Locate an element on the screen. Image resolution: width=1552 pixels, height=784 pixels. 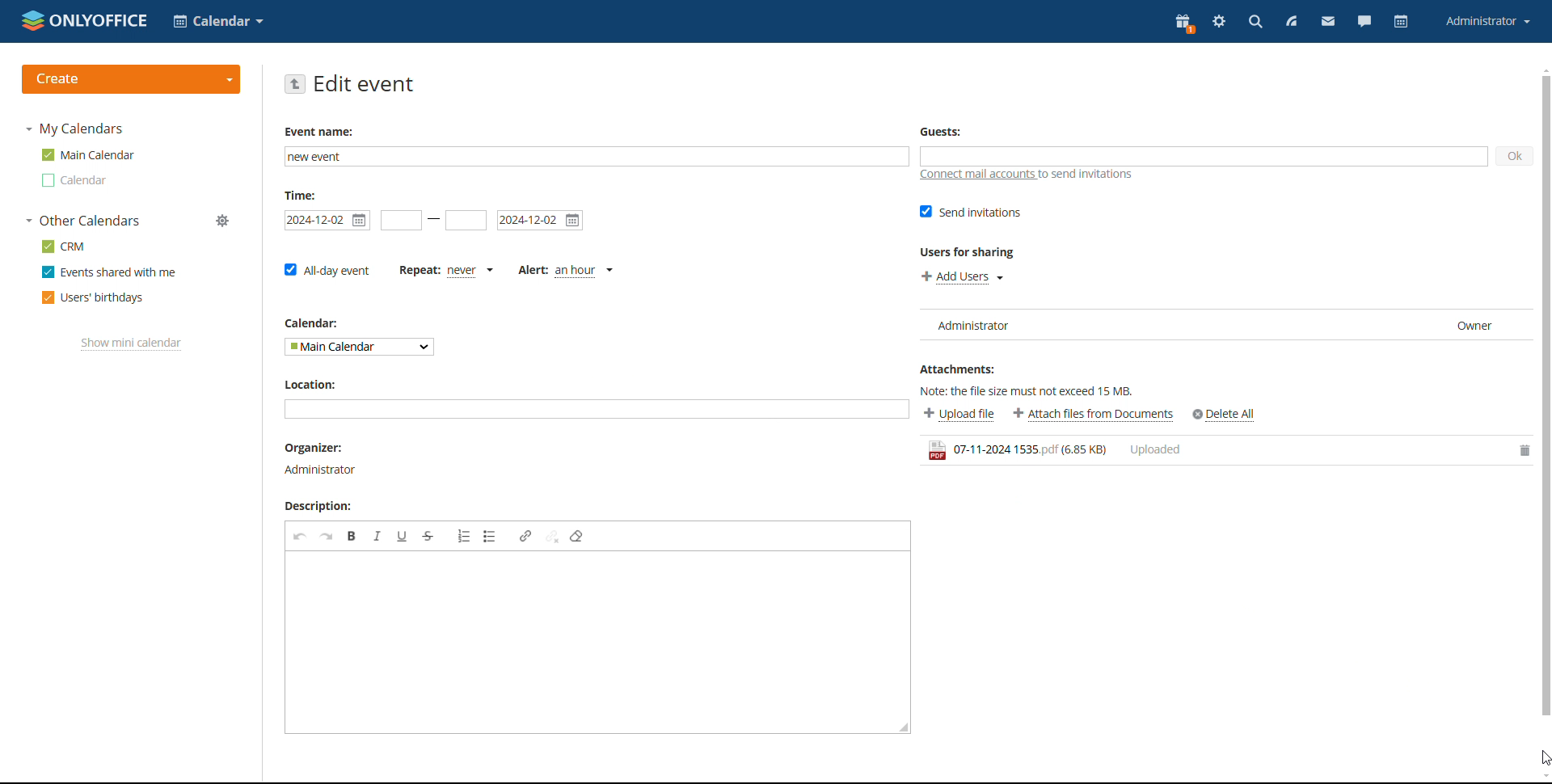
insert/remove bulleted list is located at coordinates (491, 536).